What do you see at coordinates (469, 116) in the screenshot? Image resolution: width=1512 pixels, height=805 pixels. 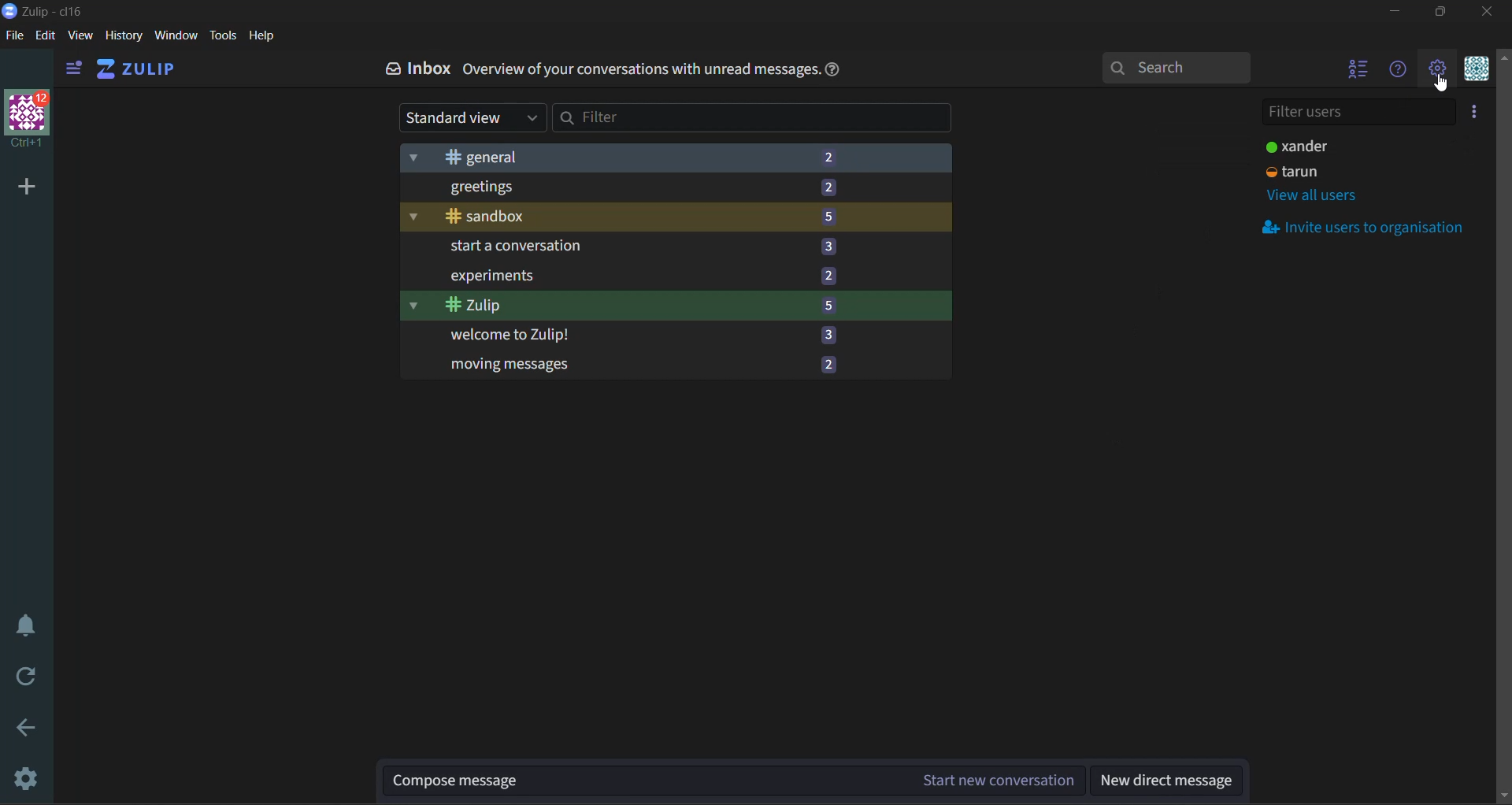 I see `standard view` at bounding box center [469, 116].